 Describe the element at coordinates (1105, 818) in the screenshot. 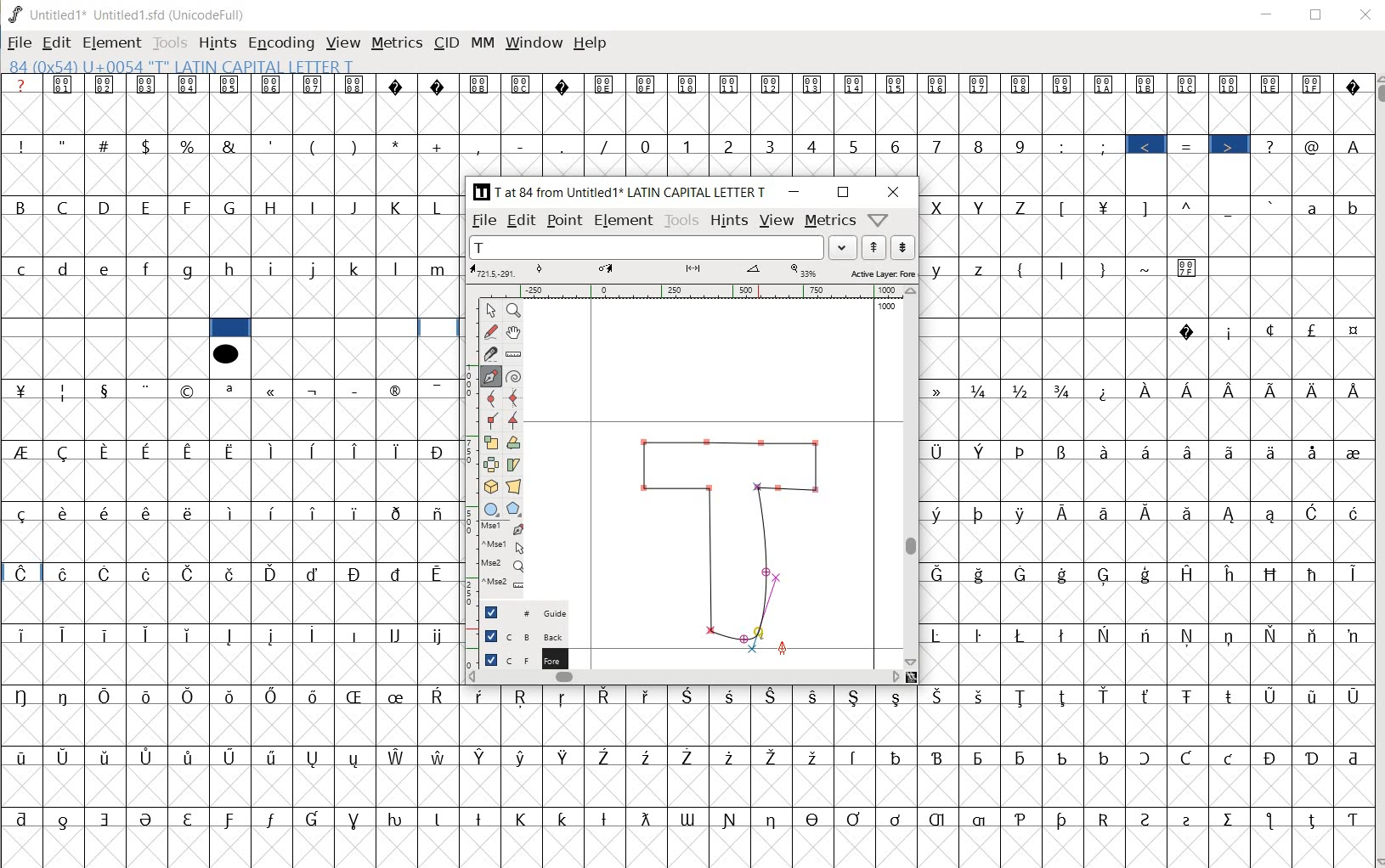

I see `Symbol` at that location.